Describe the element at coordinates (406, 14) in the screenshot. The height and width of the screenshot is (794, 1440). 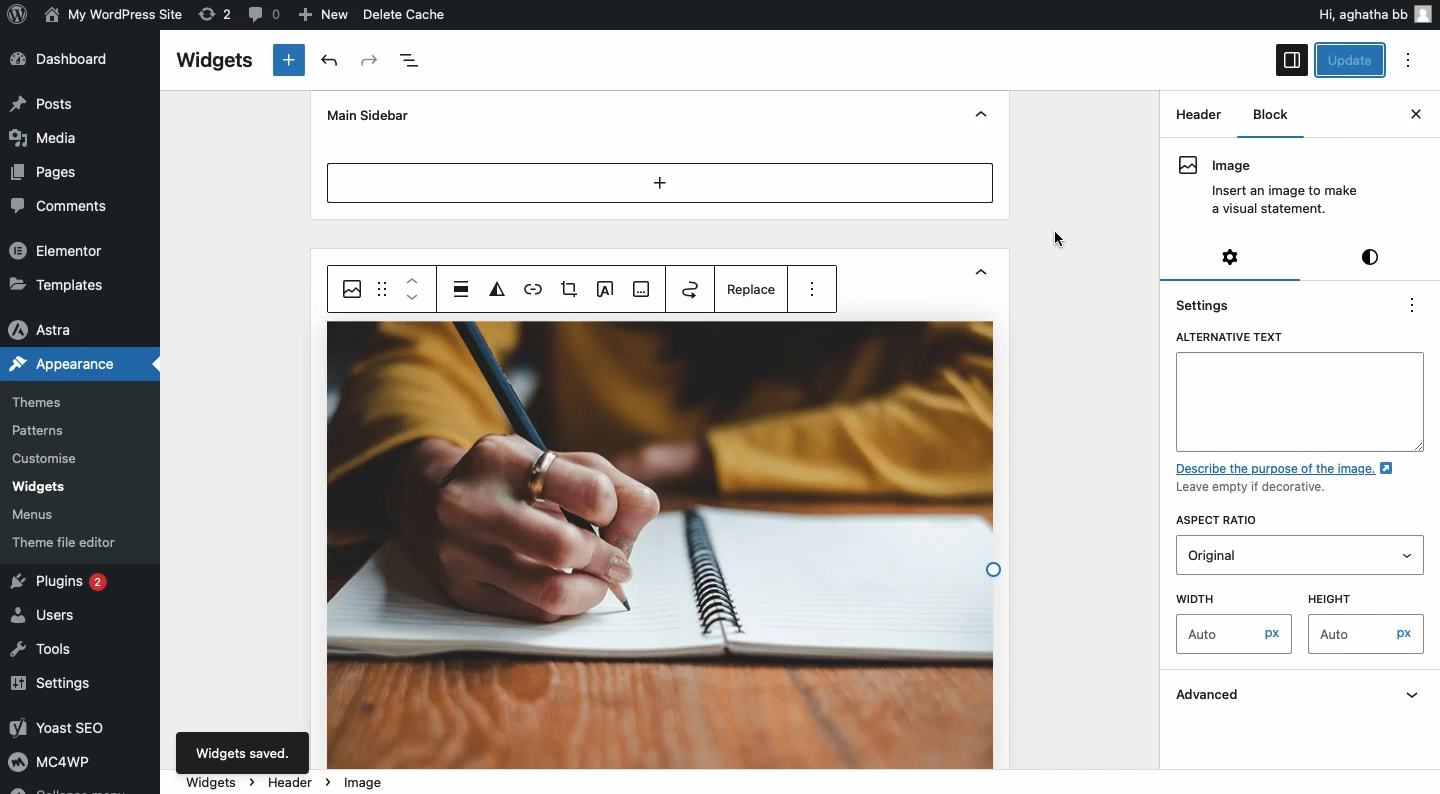
I see `Delete cache` at that location.